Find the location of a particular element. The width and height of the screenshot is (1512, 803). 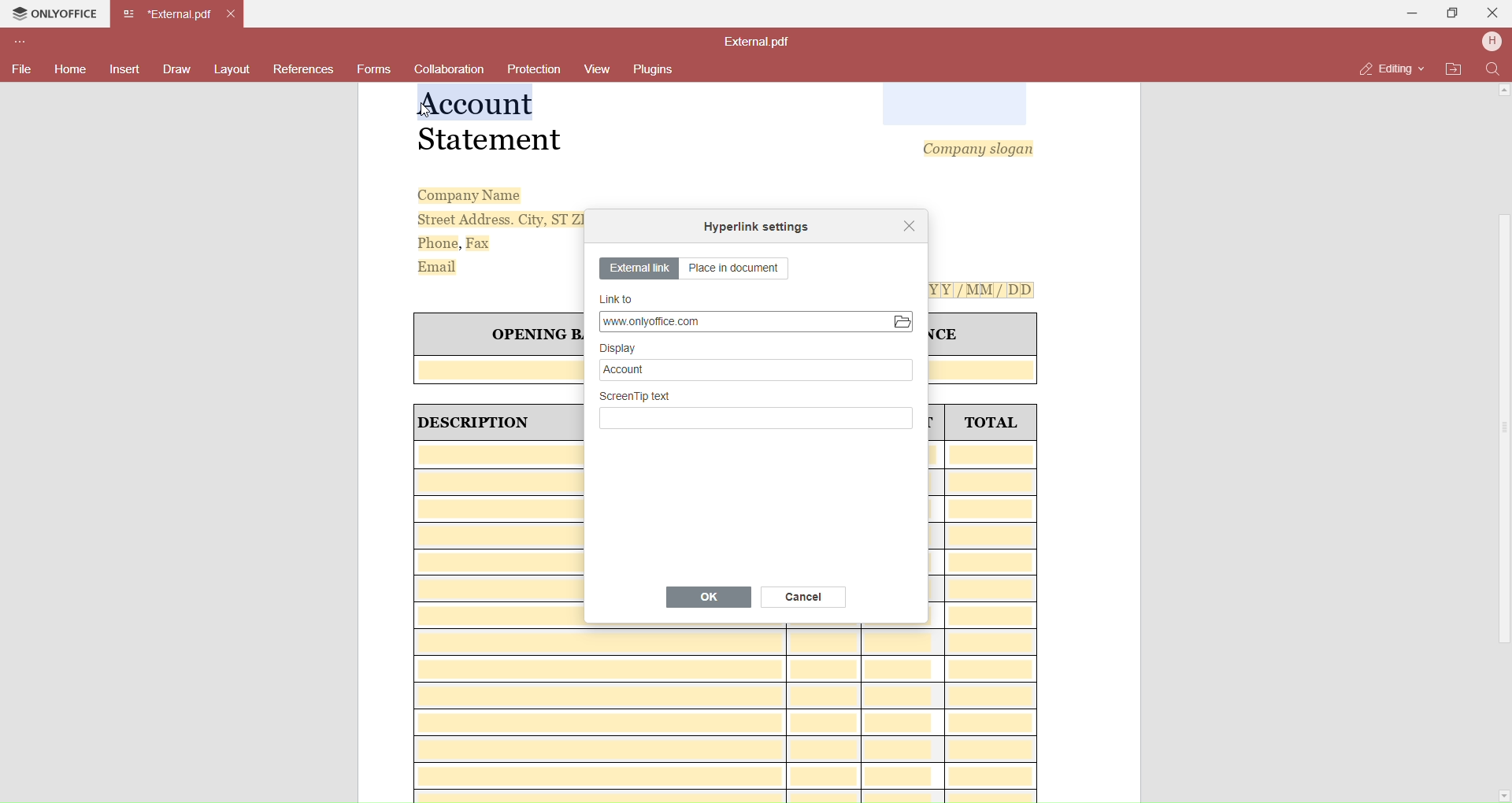

Minimize is located at coordinates (1407, 16).